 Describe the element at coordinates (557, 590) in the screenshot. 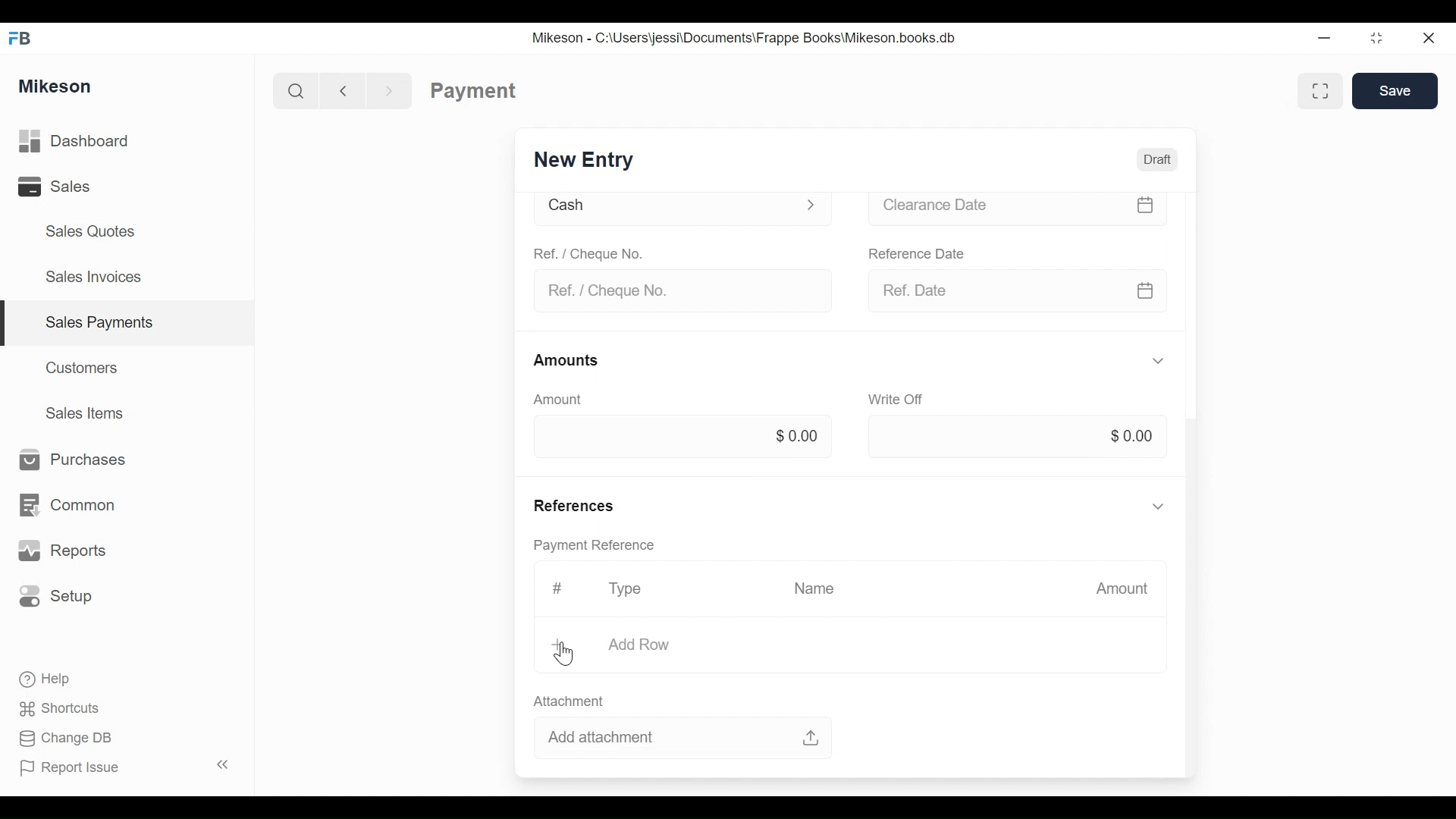

I see `Hashtag` at that location.